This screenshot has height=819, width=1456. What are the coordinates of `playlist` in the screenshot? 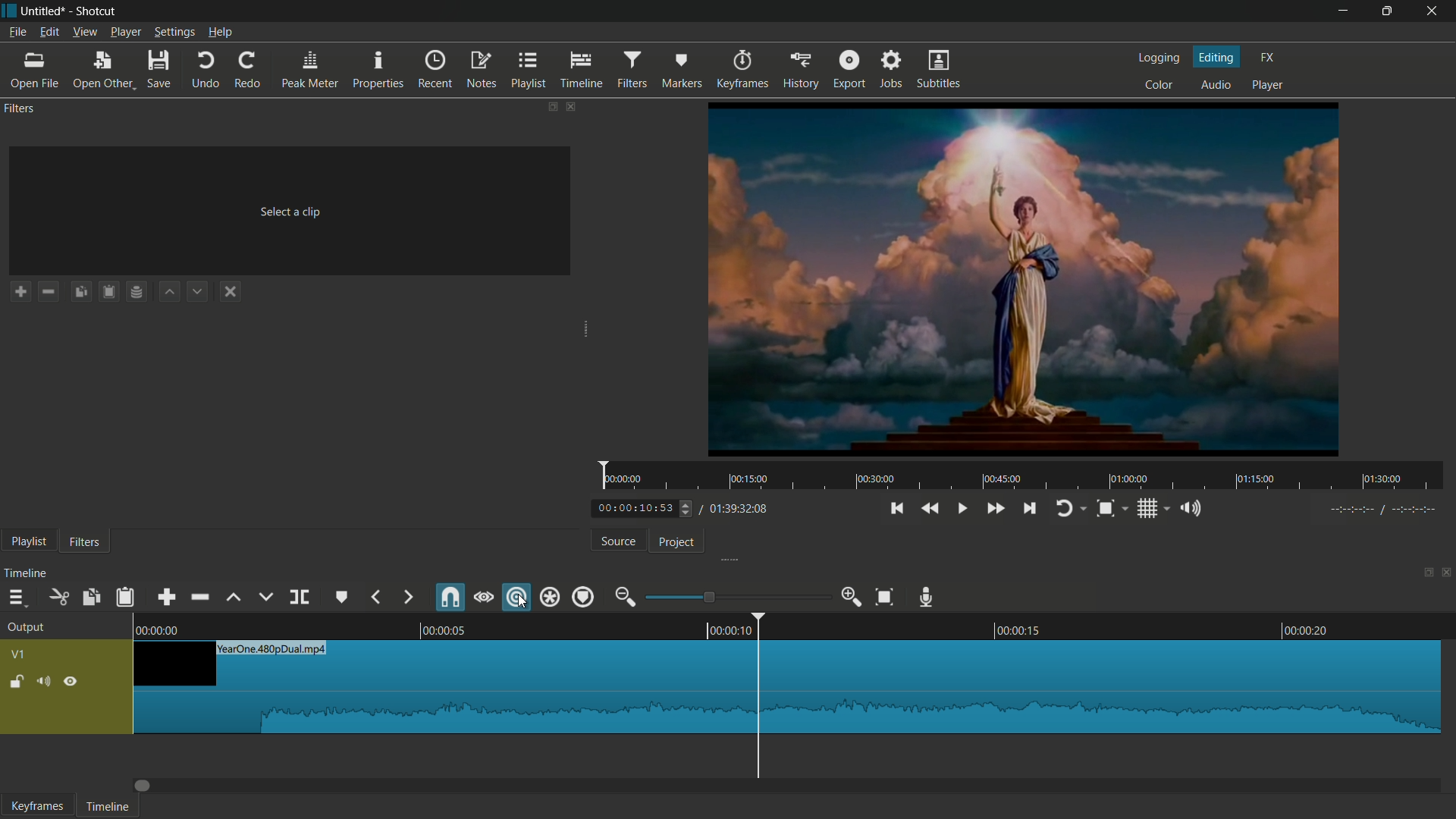 It's located at (28, 543).